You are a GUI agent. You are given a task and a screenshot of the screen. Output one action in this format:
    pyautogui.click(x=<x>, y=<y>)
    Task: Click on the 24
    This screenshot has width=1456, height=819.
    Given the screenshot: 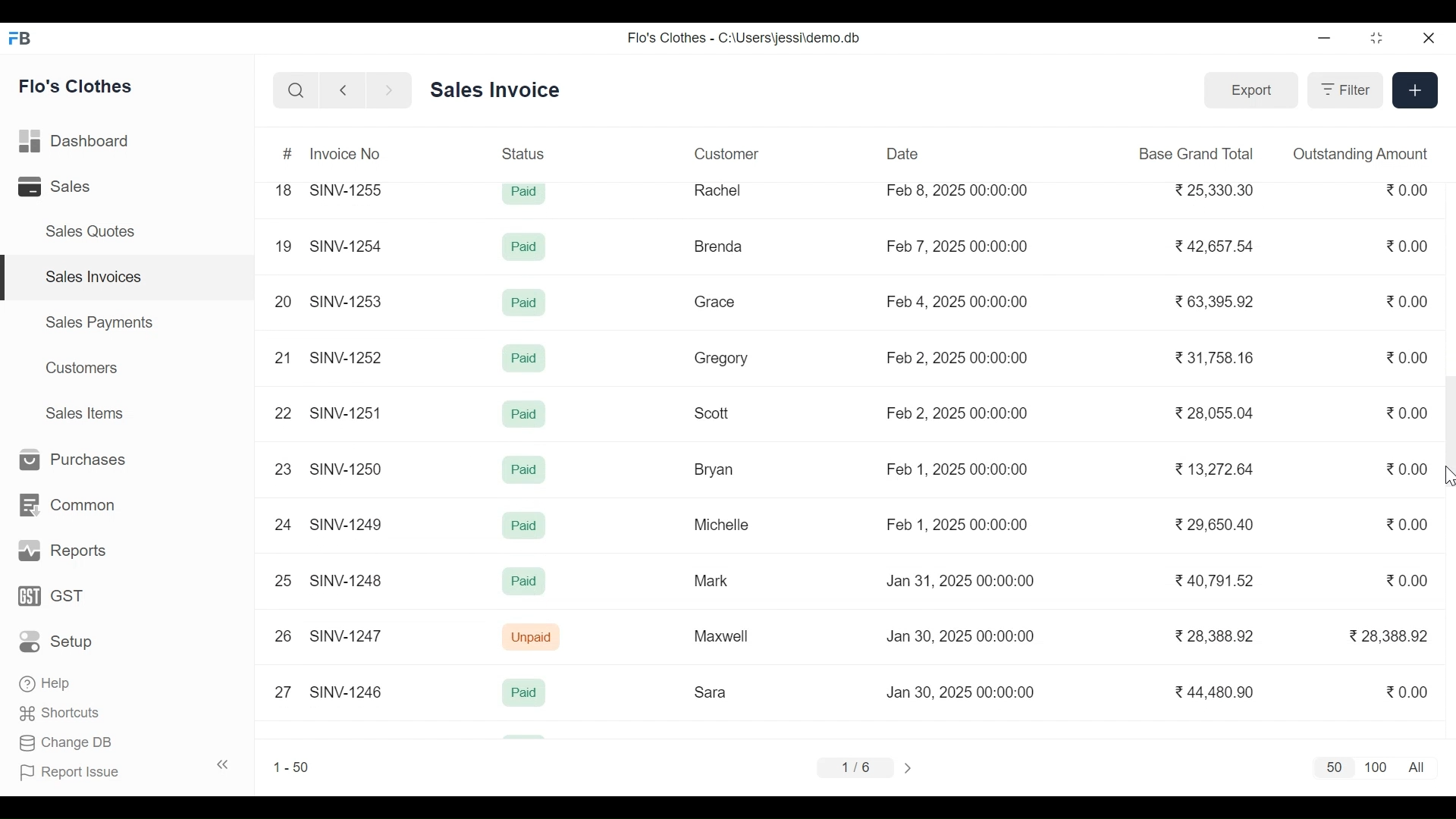 What is the action you would take?
    pyautogui.click(x=283, y=524)
    